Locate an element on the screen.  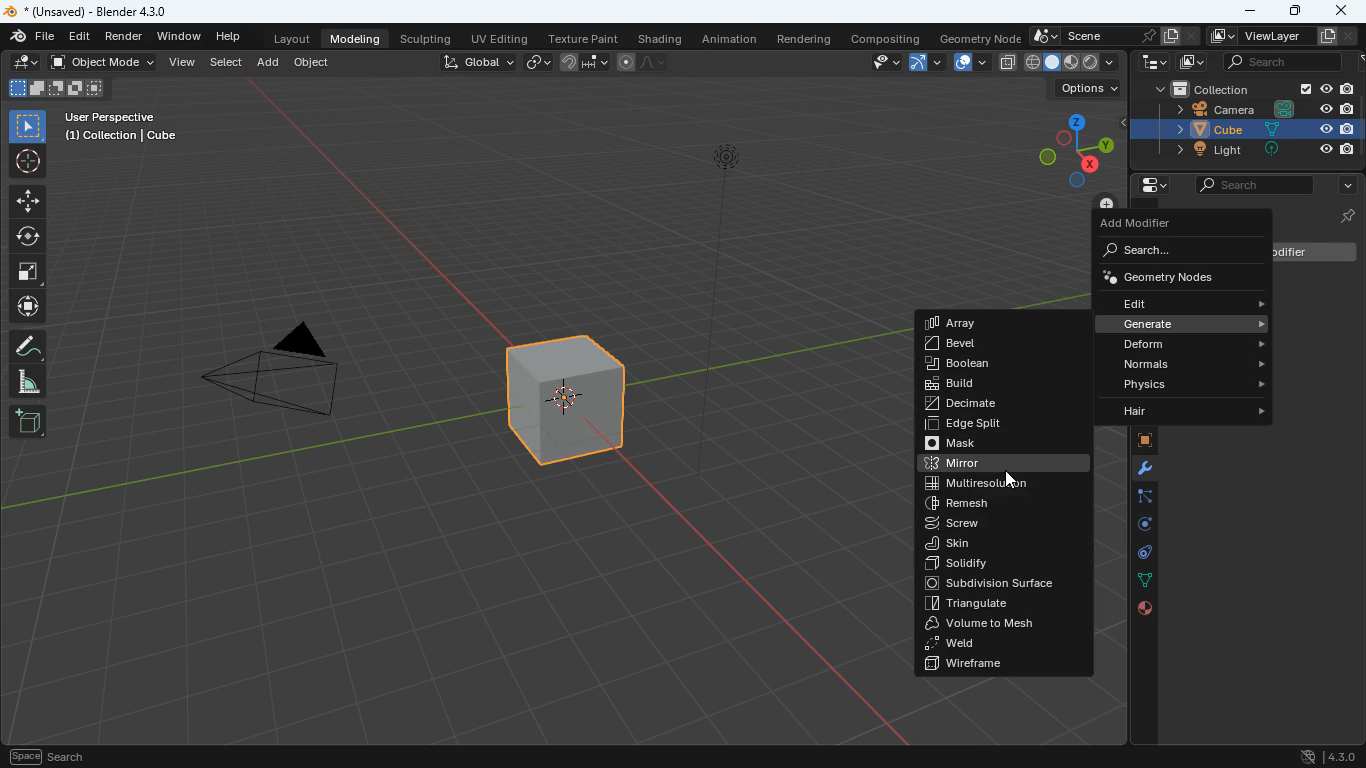
full screen is located at coordinates (28, 274).